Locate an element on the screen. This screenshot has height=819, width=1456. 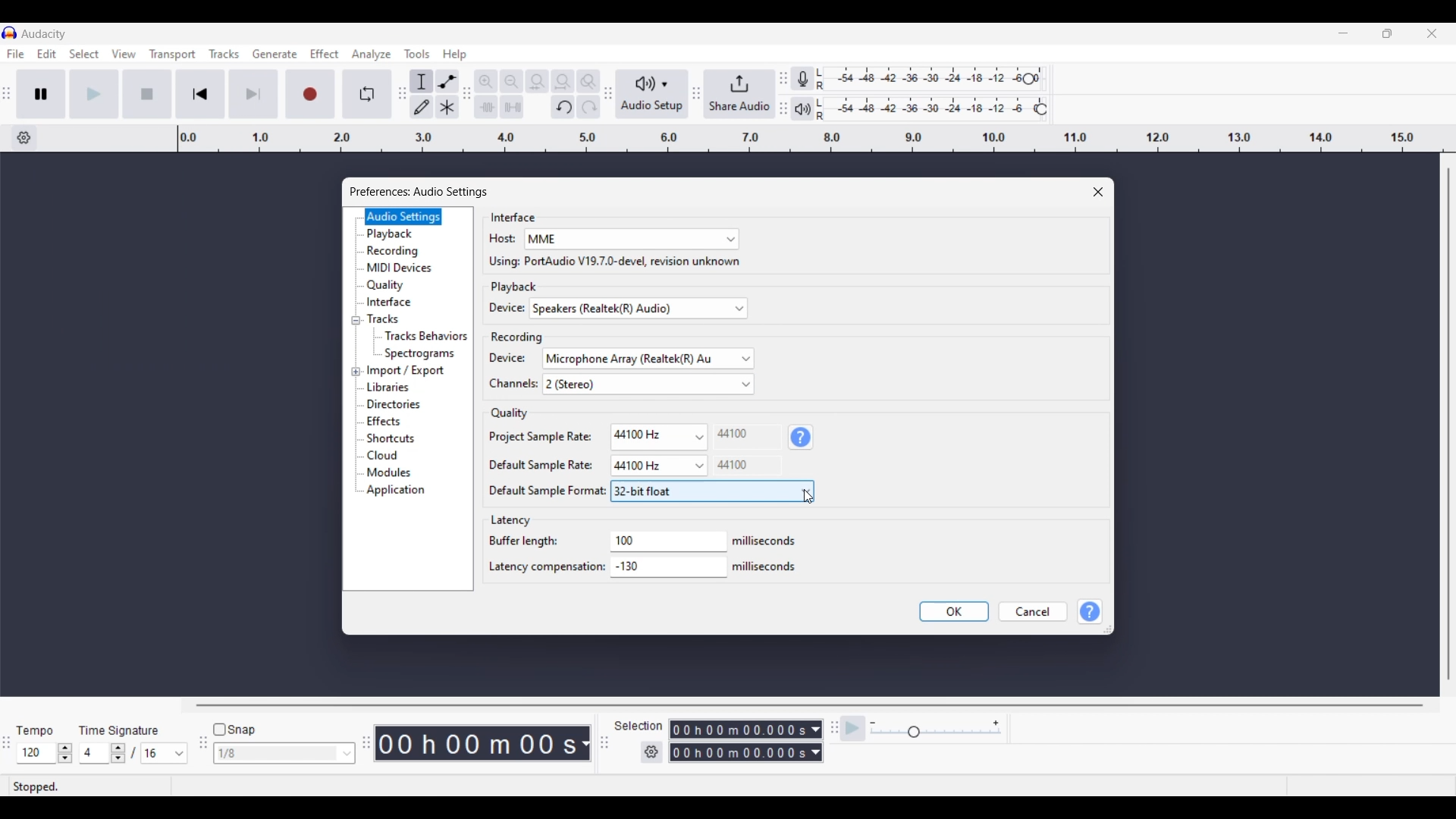
Pause is located at coordinates (41, 93).